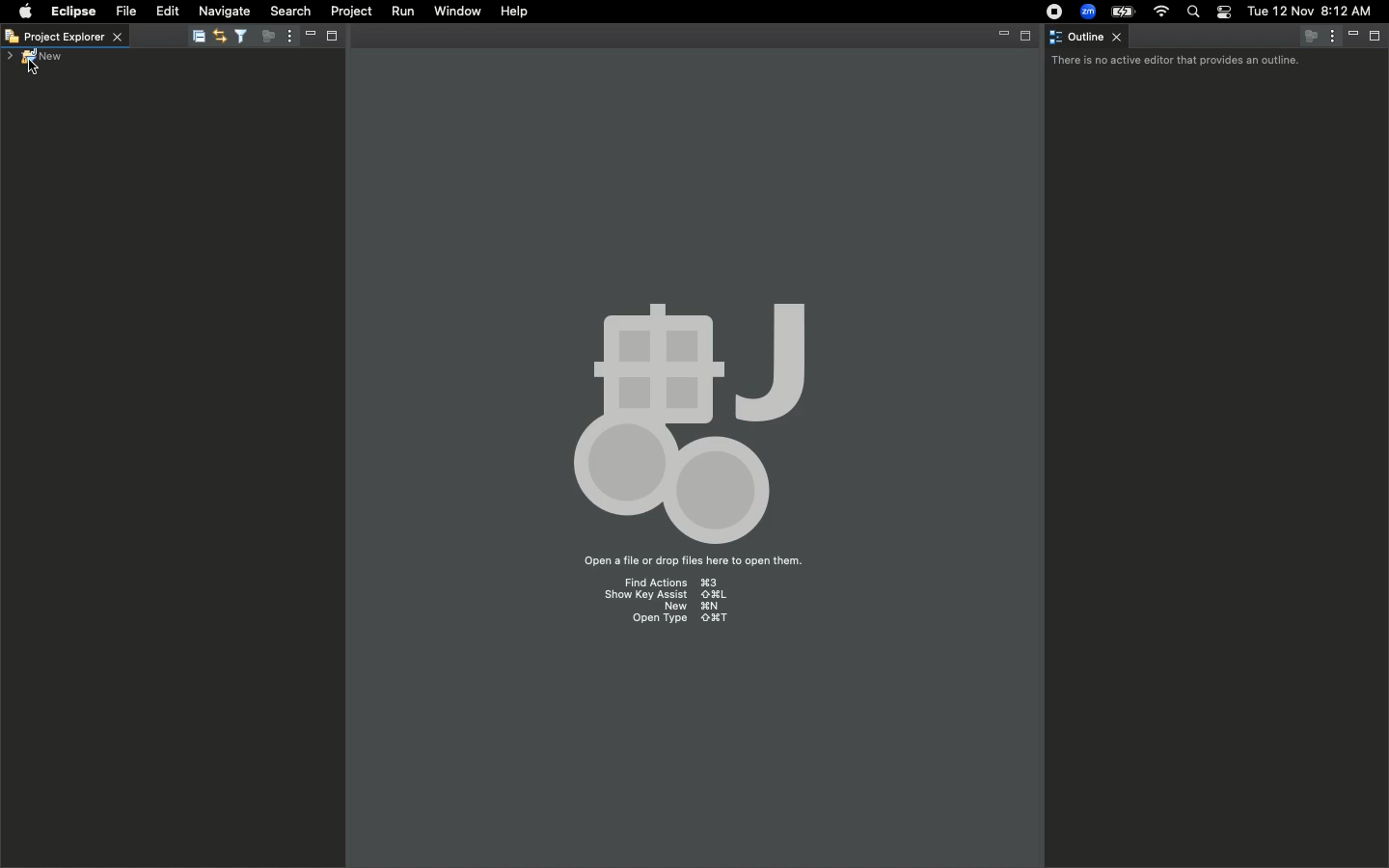 Image resolution: width=1389 pixels, height=868 pixels. What do you see at coordinates (286, 38) in the screenshot?
I see `Options` at bounding box center [286, 38].